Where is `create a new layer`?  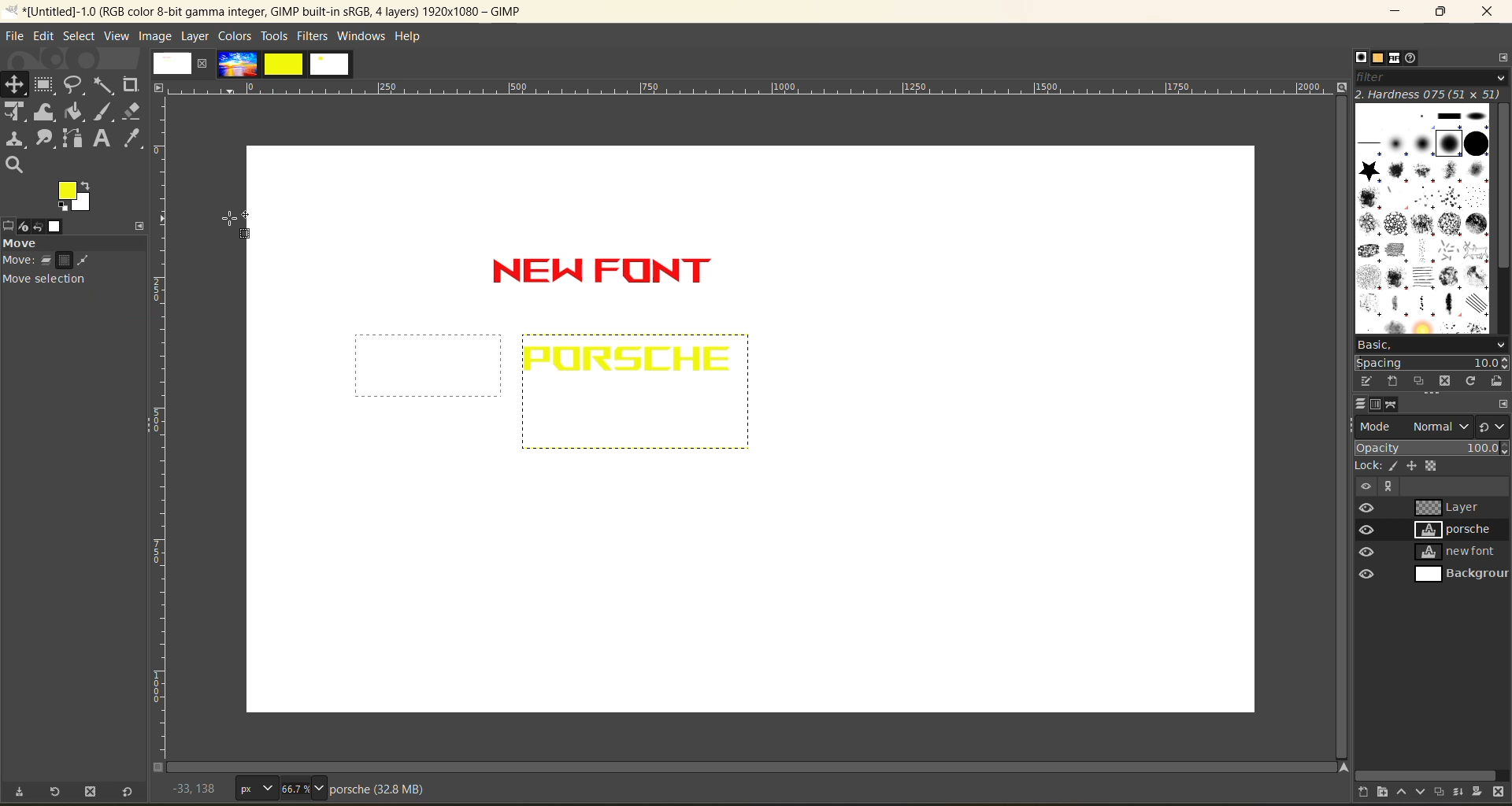
create a new layer is located at coordinates (1357, 790).